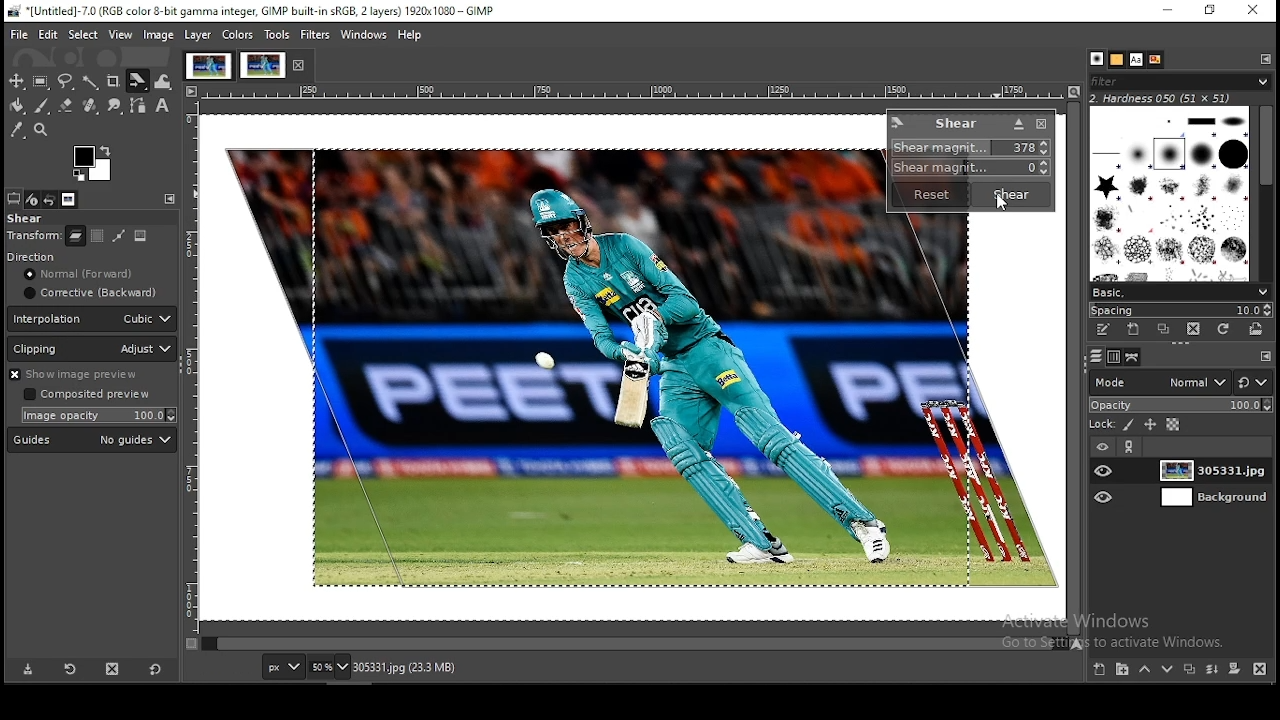 The image size is (1280, 720). Describe the element at coordinates (223, 666) in the screenshot. I see `576.0, 236.0` at that location.